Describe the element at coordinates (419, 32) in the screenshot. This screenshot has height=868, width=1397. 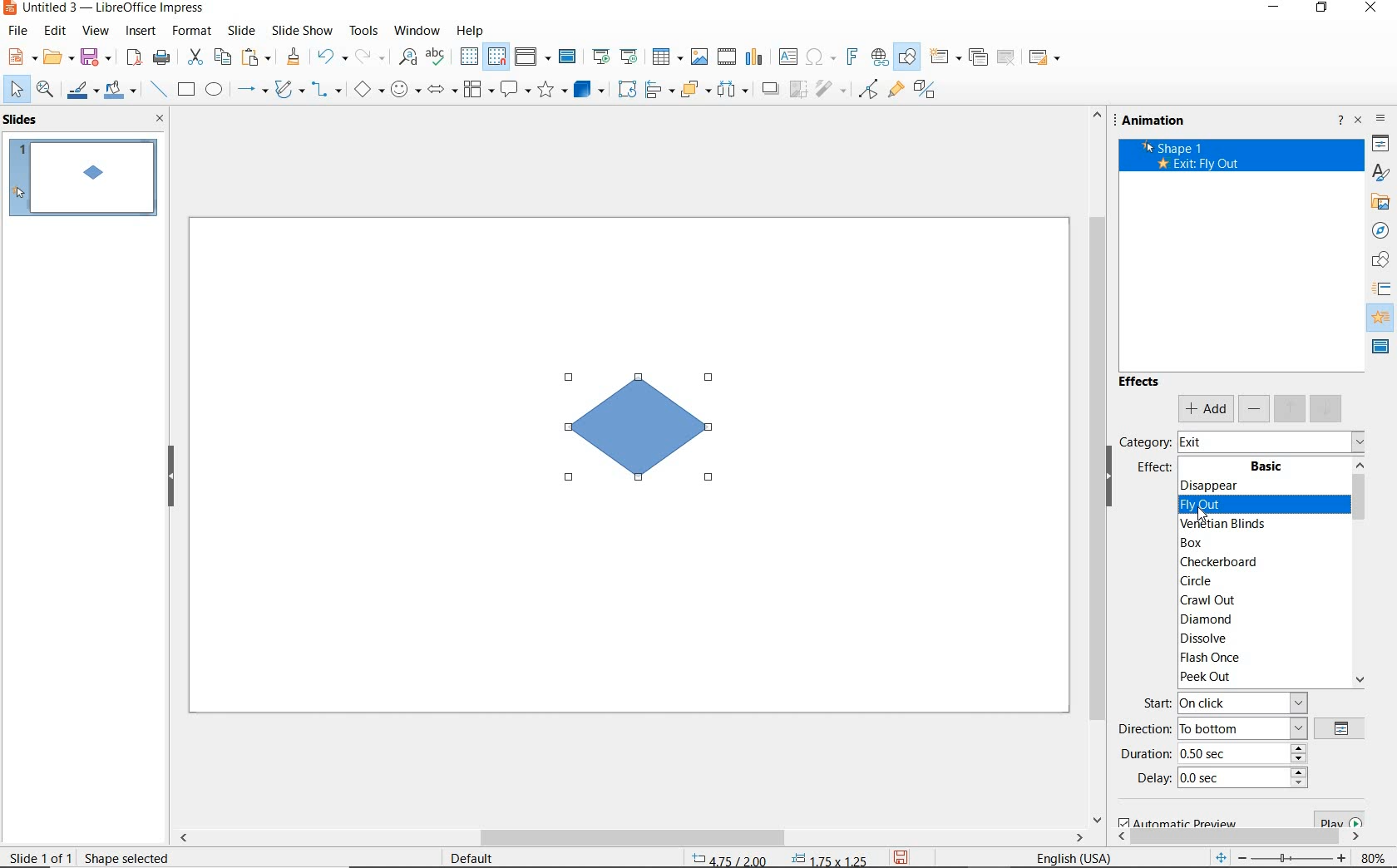
I see `window` at that location.